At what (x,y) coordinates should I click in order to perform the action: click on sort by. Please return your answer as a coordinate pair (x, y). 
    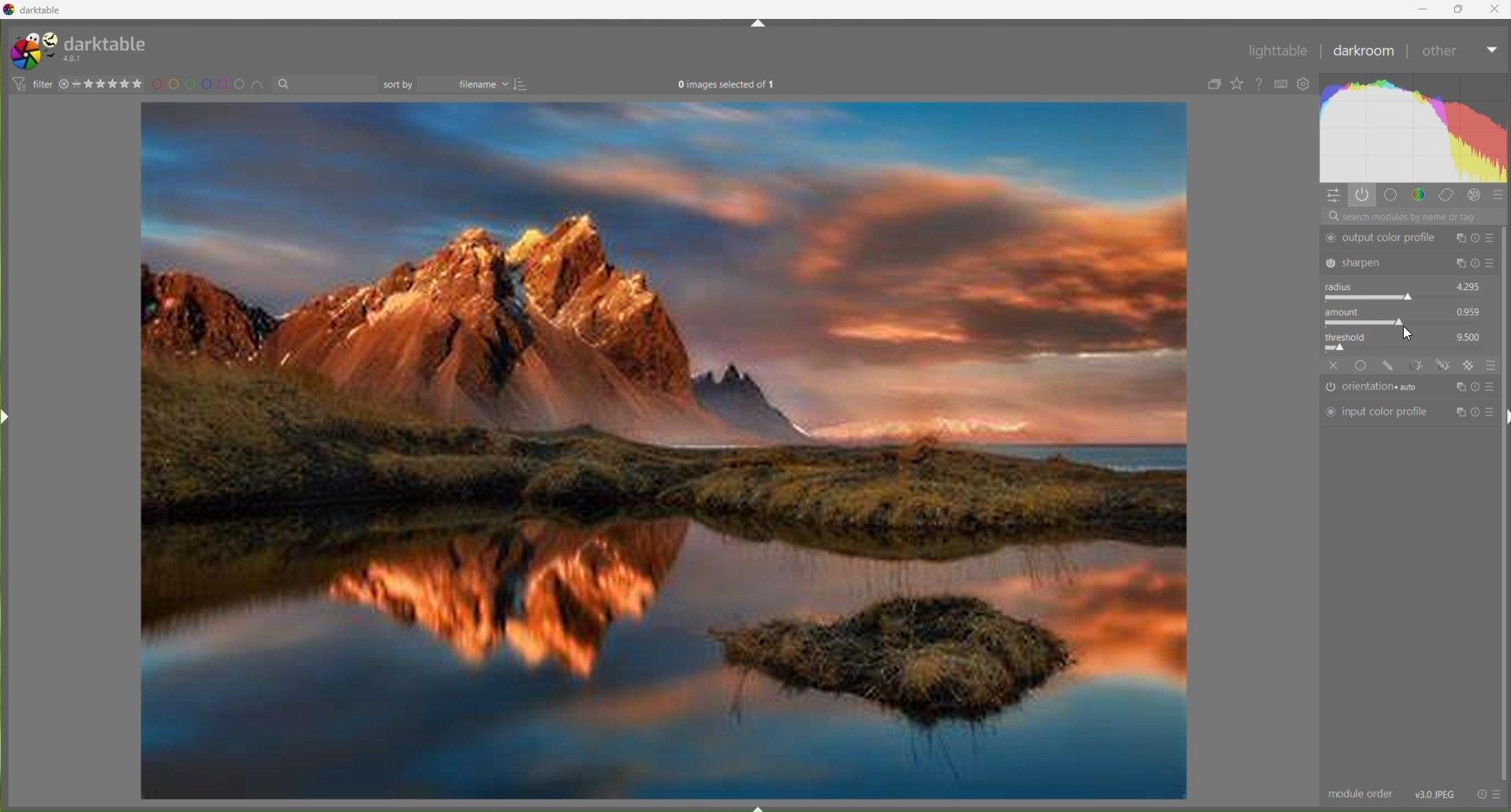
    Looking at the image, I should click on (325, 84).